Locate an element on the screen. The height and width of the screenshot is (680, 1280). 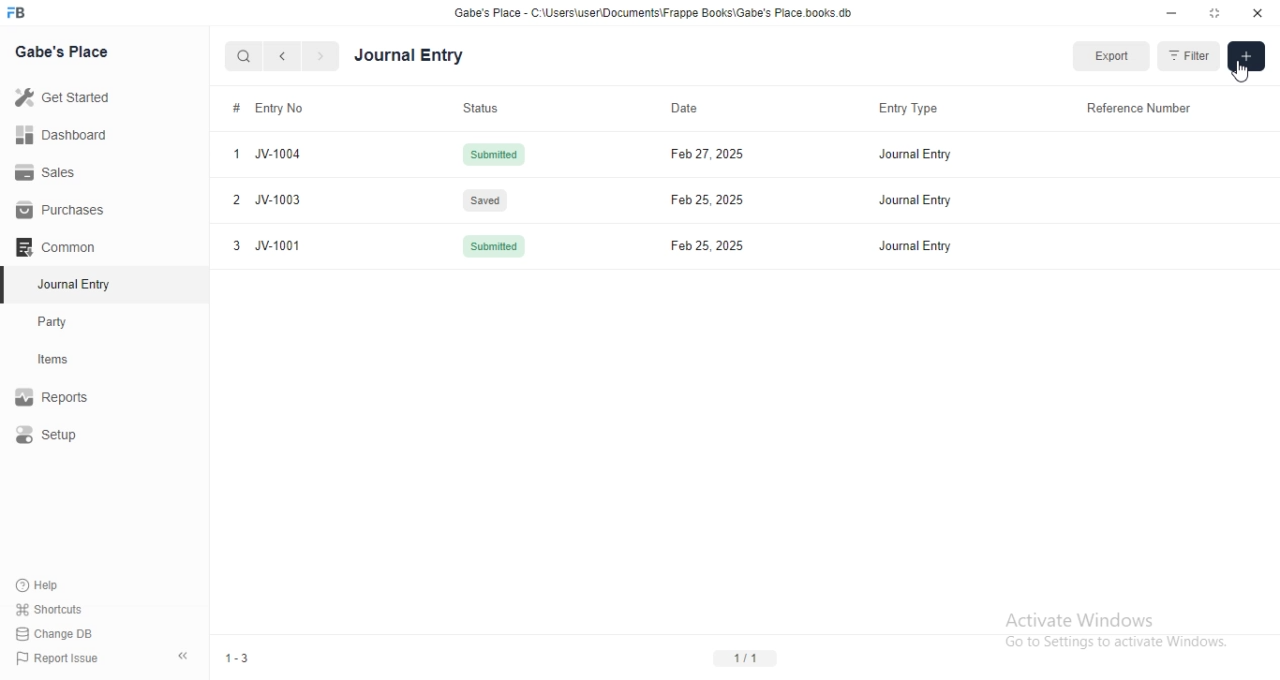
search is located at coordinates (245, 56).